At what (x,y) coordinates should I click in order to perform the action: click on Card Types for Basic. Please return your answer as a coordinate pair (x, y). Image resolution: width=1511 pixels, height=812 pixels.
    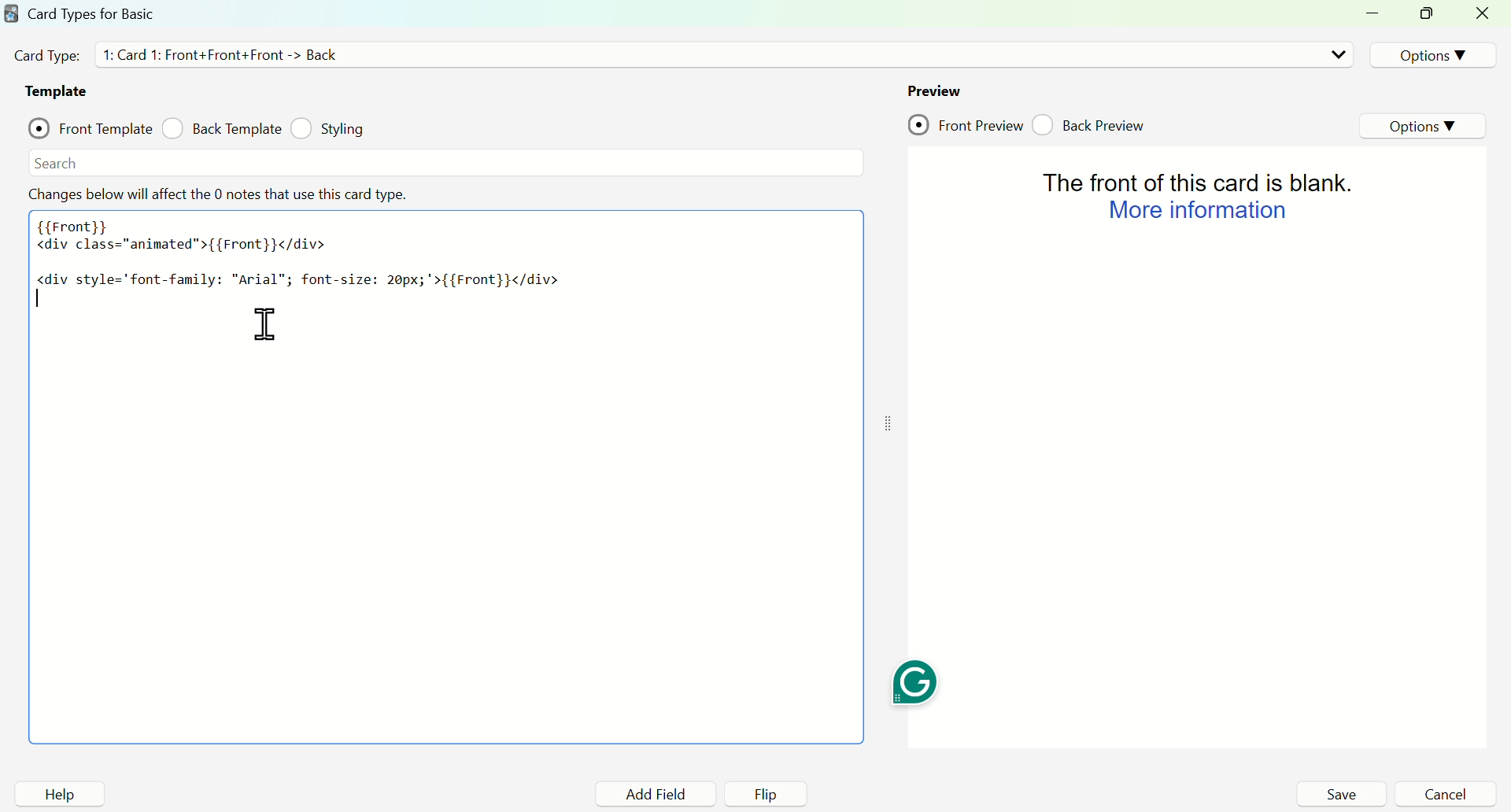
    Looking at the image, I should click on (92, 13).